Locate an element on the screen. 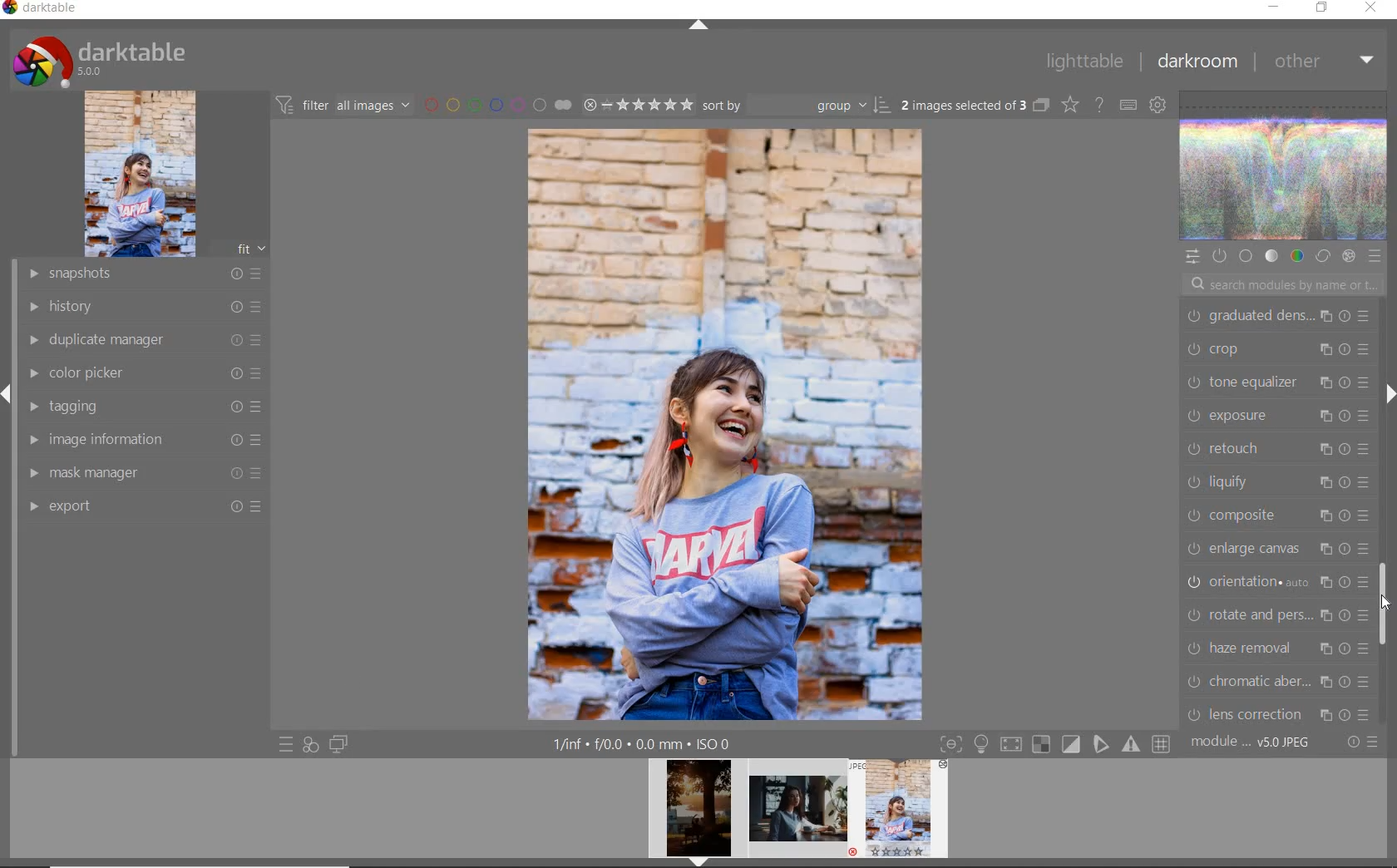 This screenshot has height=868, width=1397. image preview is located at coordinates (904, 813).